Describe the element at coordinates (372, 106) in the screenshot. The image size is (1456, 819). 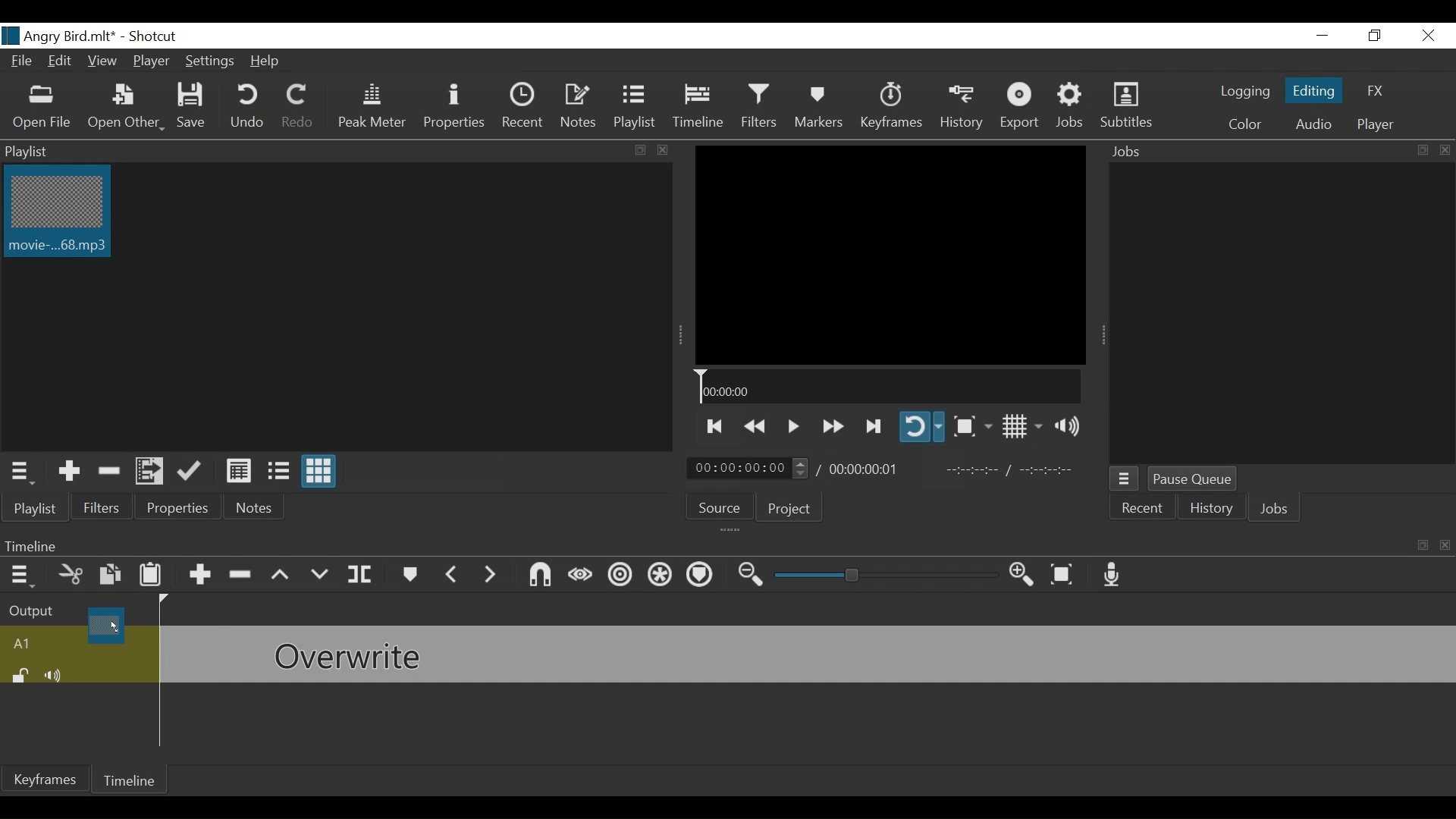
I see `Peak Meter` at that location.